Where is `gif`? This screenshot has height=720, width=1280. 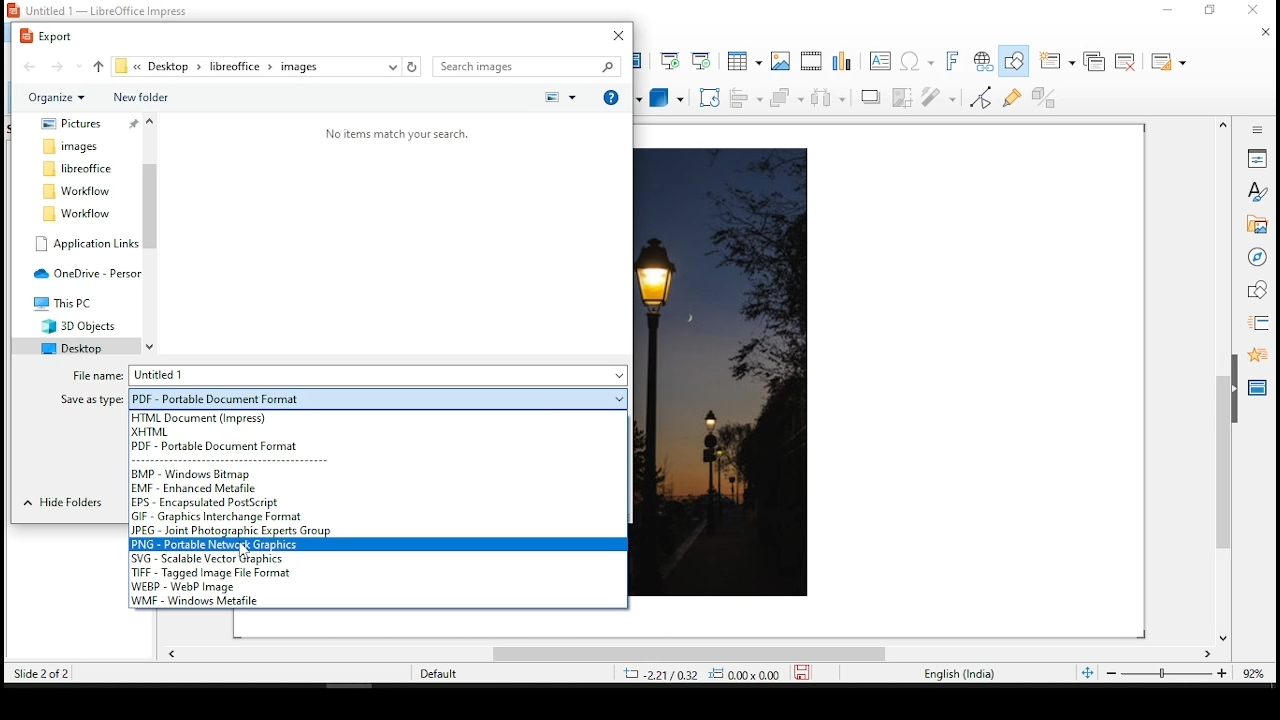
gif is located at coordinates (229, 517).